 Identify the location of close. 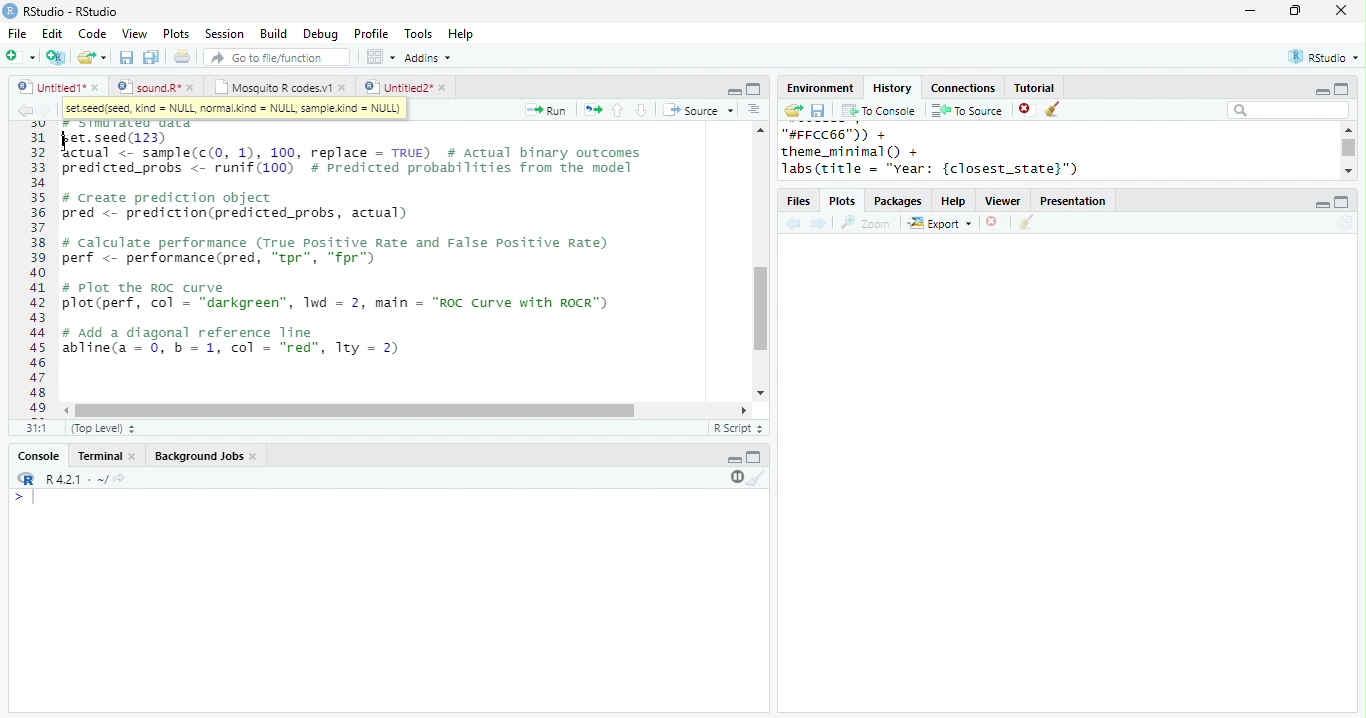
(344, 87).